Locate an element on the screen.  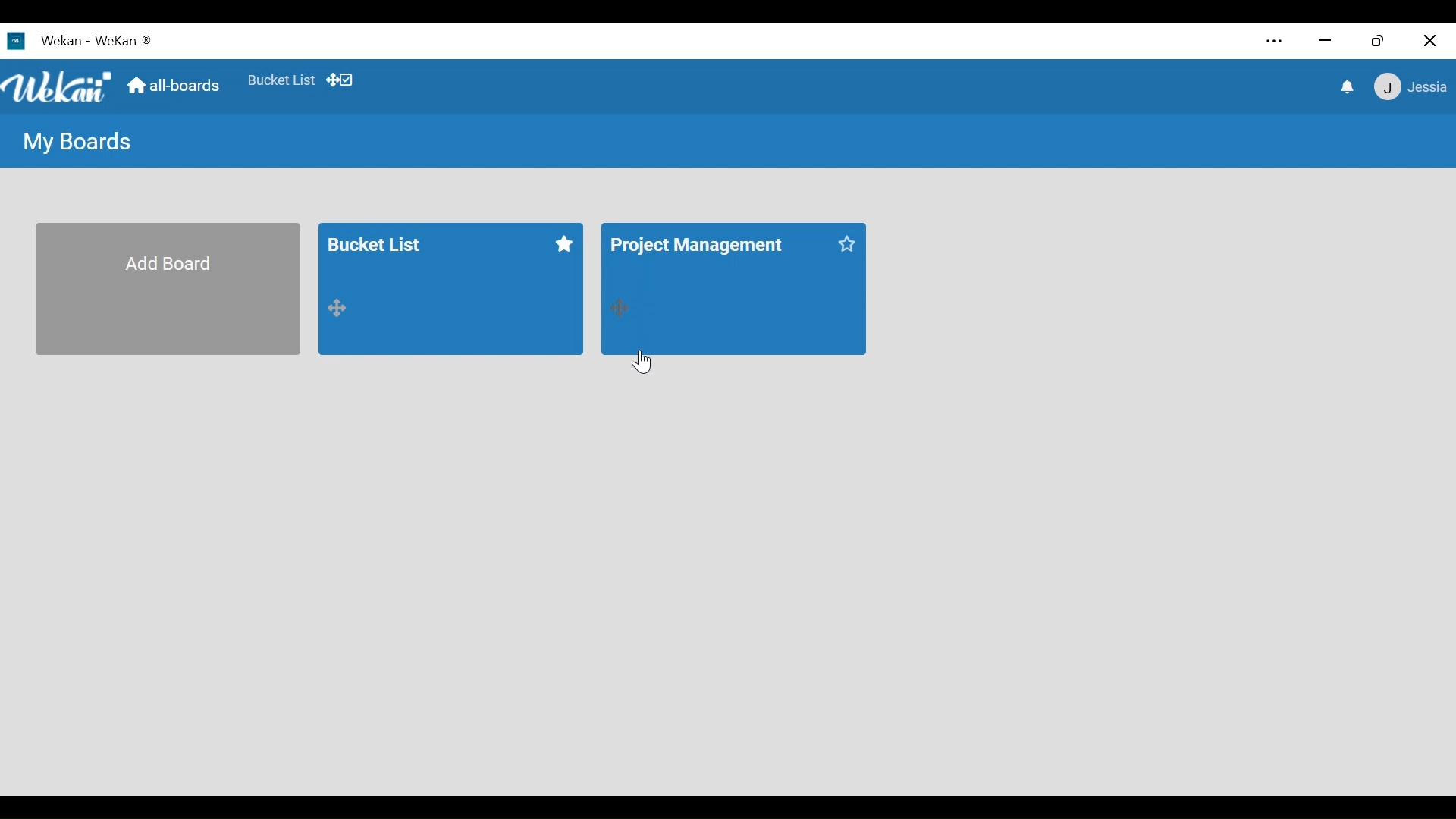
Favorite is located at coordinates (280, 80).